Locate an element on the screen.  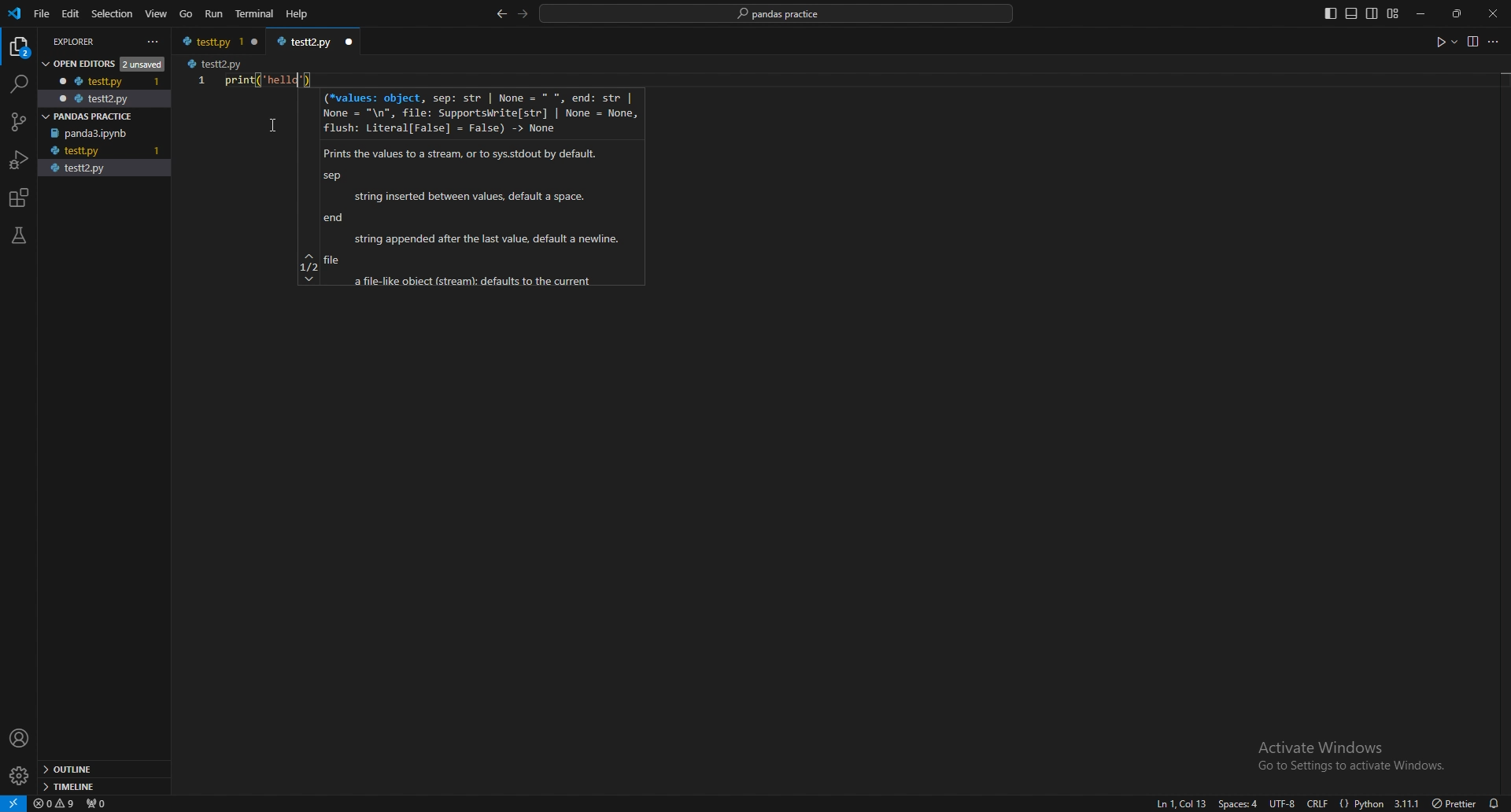
run and debug is located at coordinates (20, 160).